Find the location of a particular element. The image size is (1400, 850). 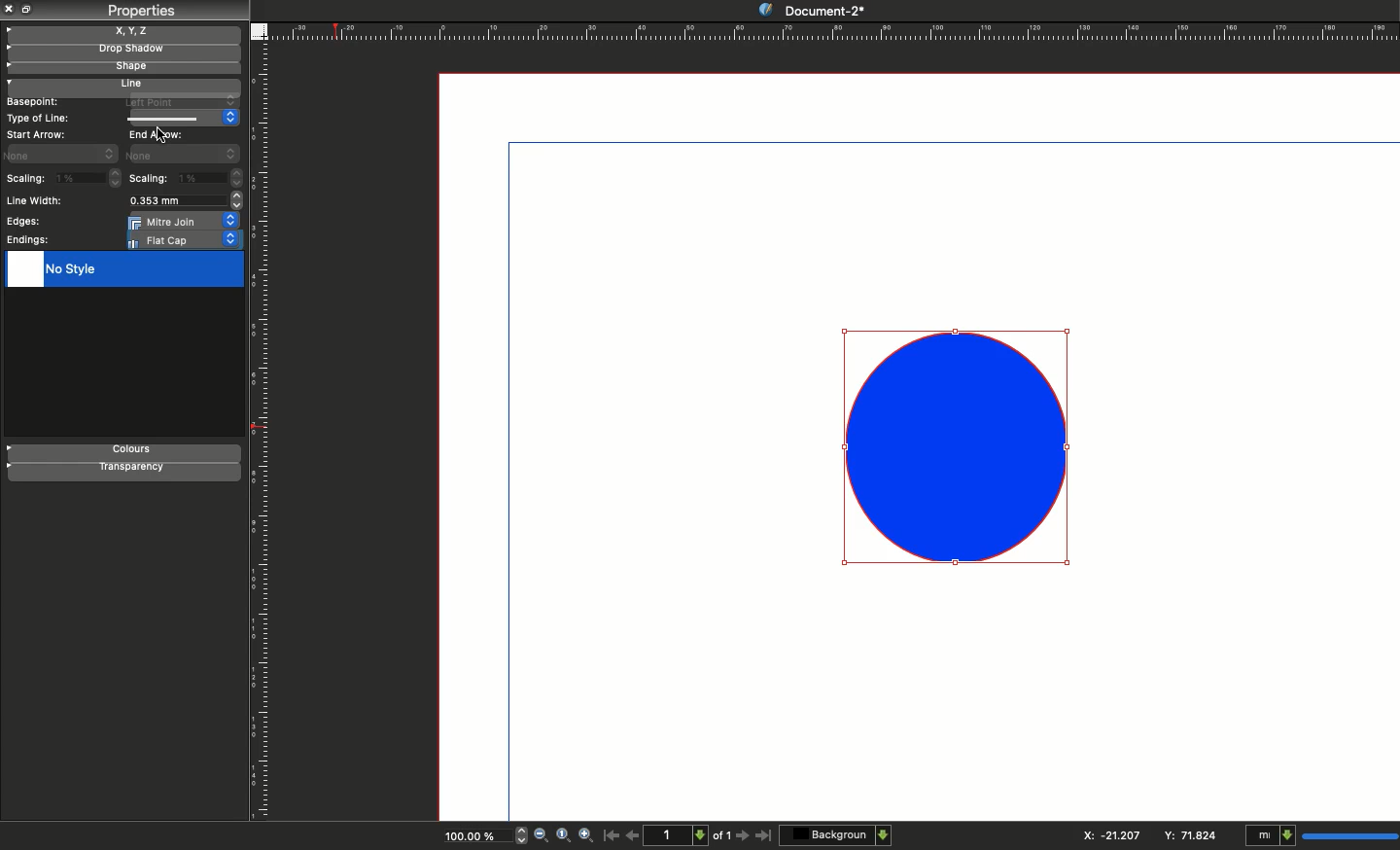

Next page is located at coordinates (745, 836).